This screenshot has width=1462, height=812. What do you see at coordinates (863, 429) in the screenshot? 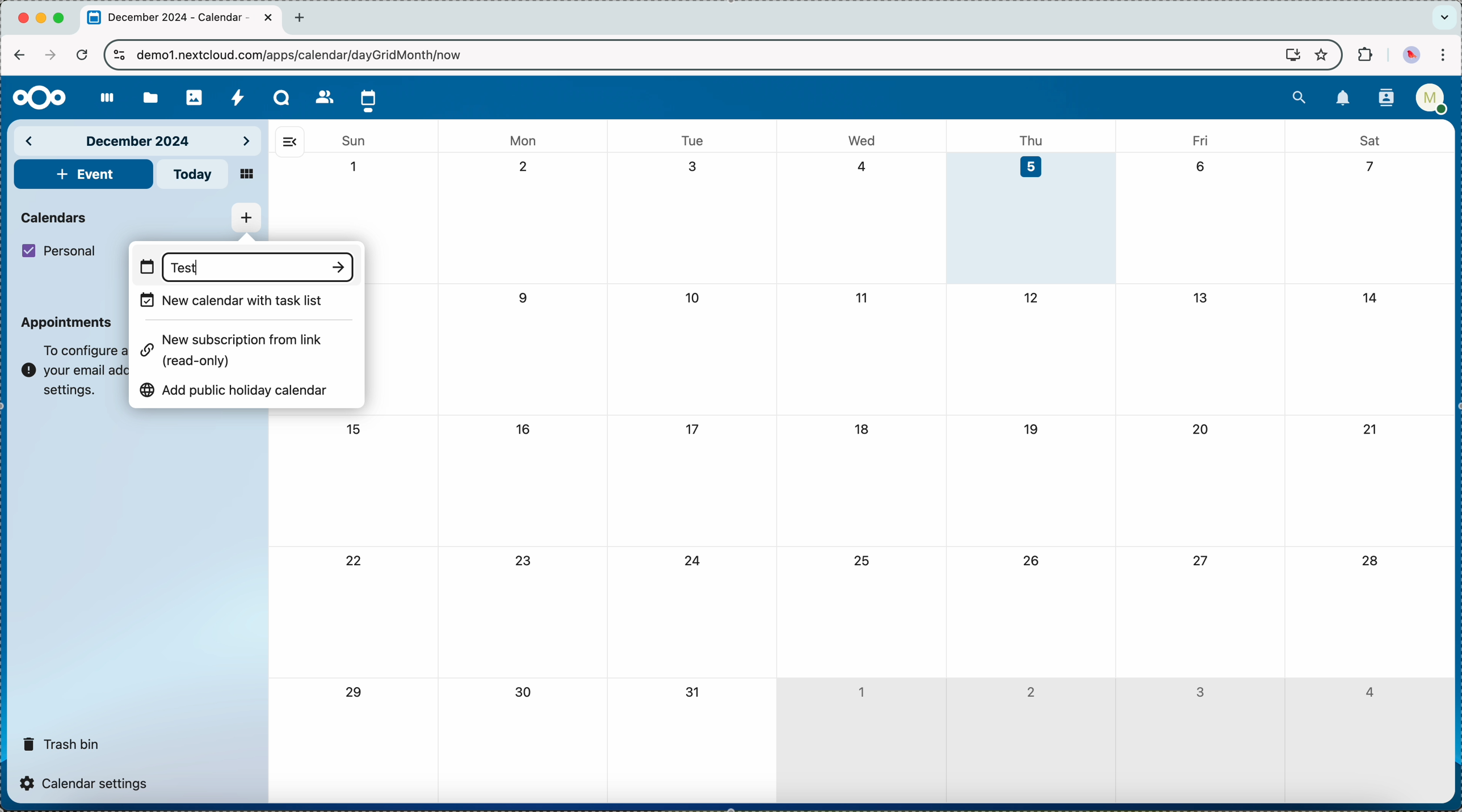
I see `18` at bounding box center [863, 429].